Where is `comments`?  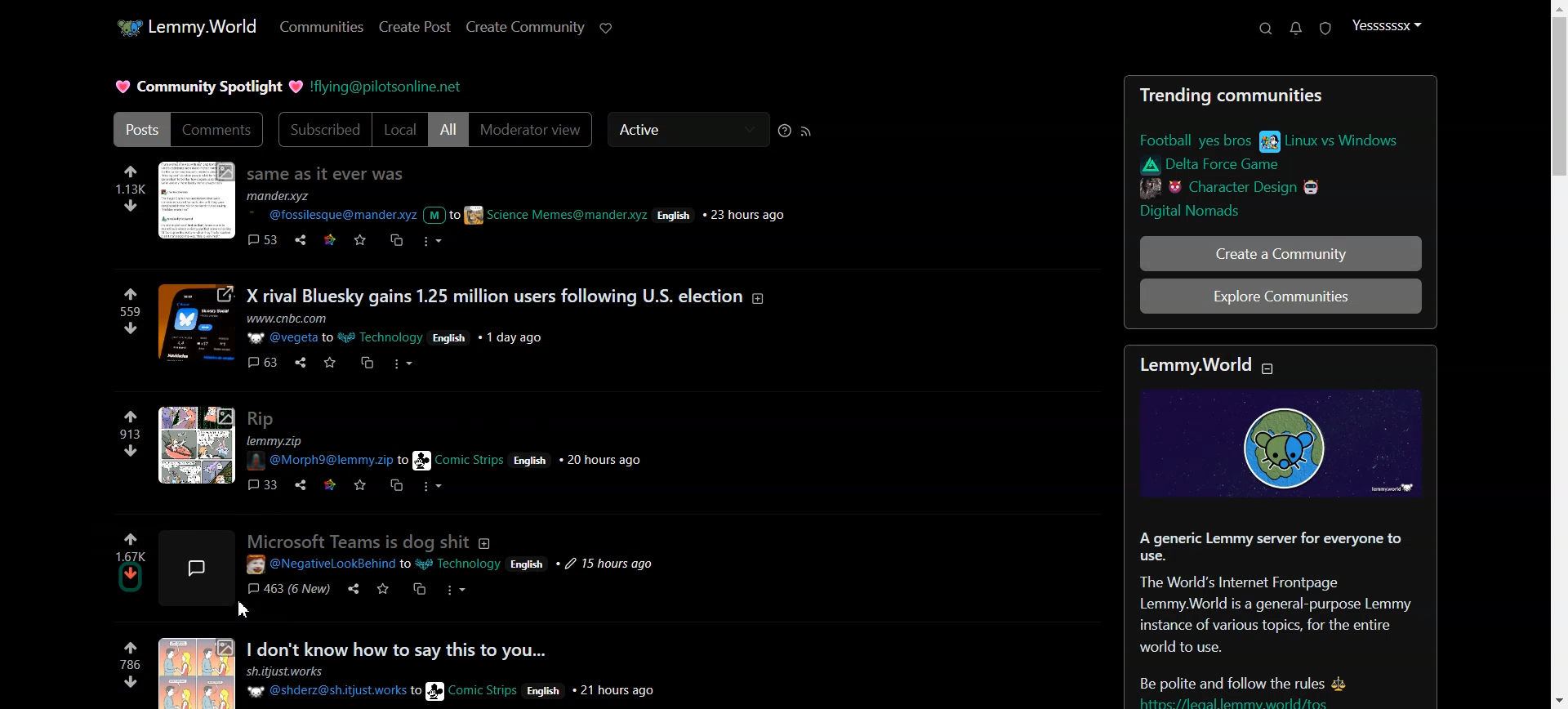
comments is located at coordinates (262, 362).